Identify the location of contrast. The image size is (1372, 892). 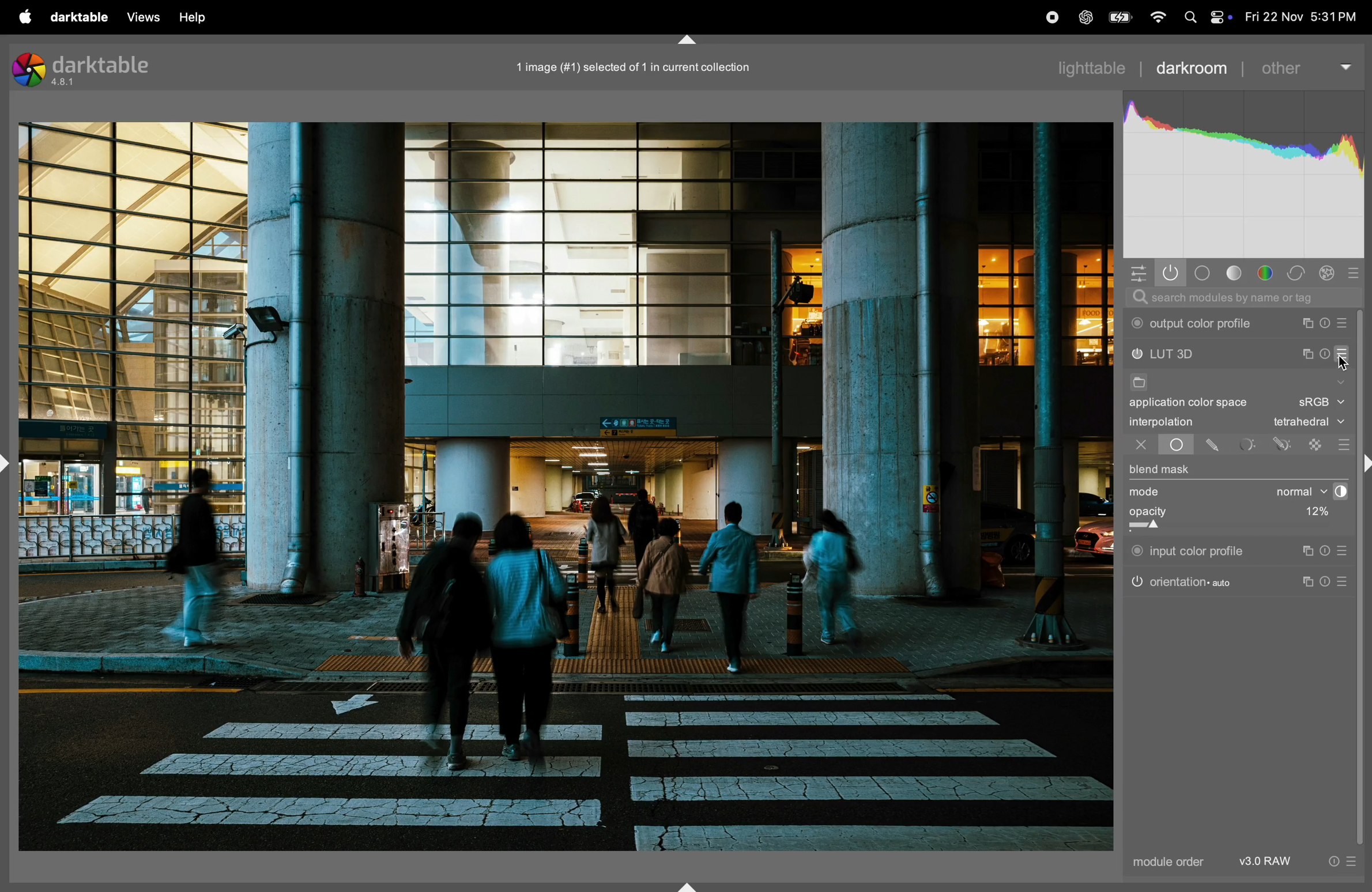
(1337, 492).